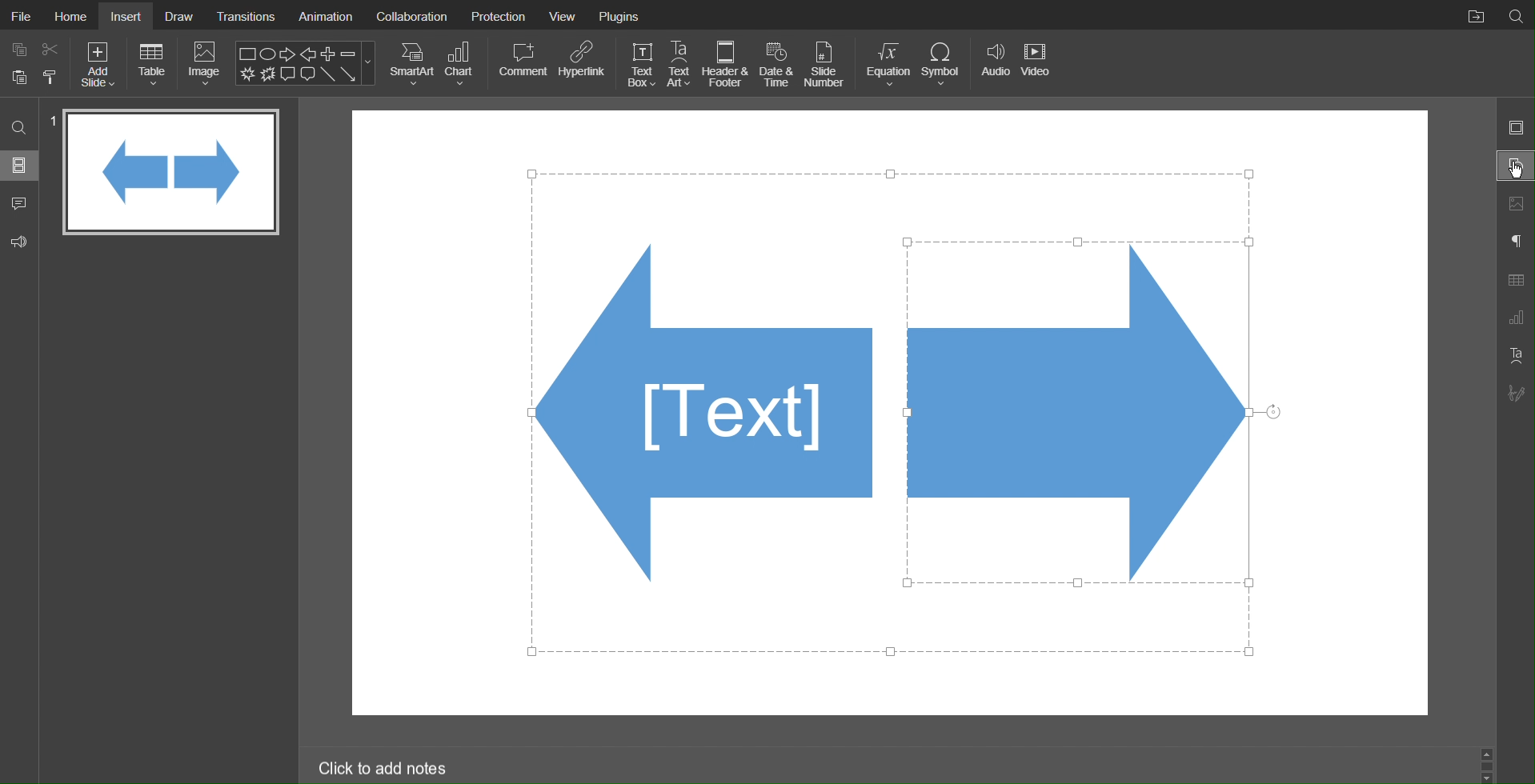 The width and height of the screenshot is (1535, 784). I want to click on Signature, so click(1515, 393).